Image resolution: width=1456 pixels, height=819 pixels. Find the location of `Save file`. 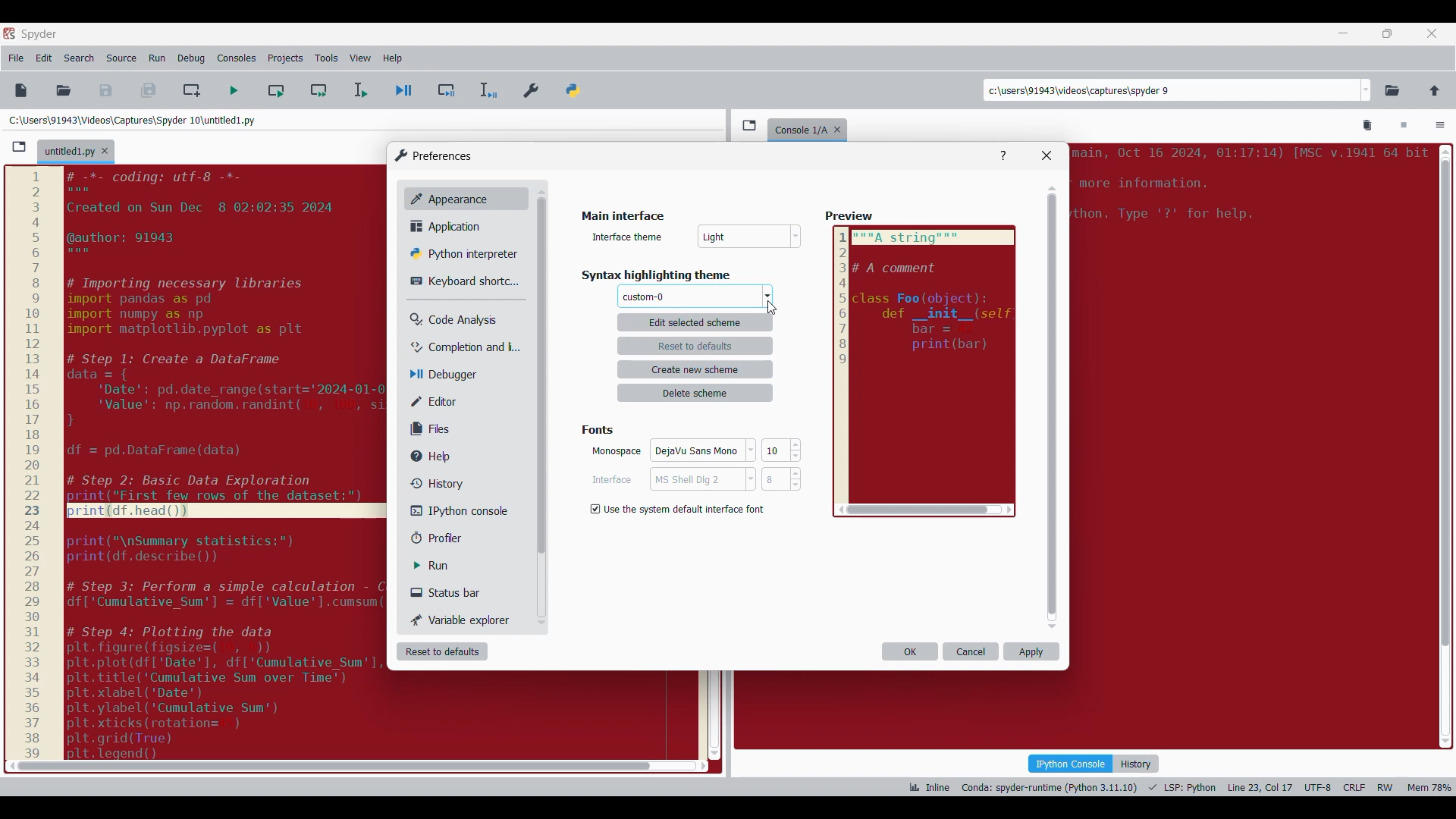

Save file is located at coordinates (107, 90).